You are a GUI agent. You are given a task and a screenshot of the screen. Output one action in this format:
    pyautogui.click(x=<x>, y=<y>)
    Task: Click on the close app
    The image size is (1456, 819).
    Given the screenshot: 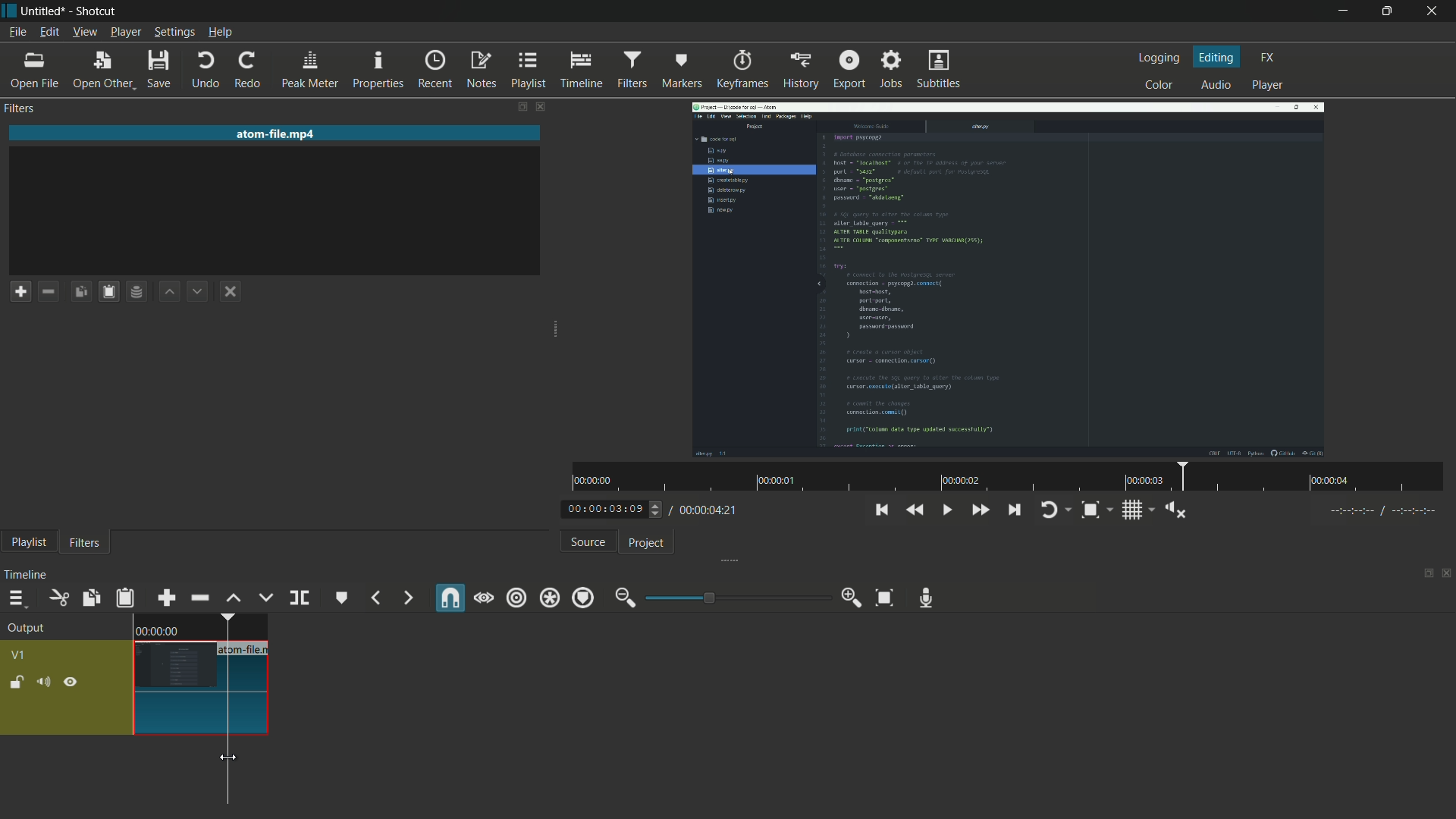 What is the action you would take?
    pyautogui.click(x=1435, y=10)
    